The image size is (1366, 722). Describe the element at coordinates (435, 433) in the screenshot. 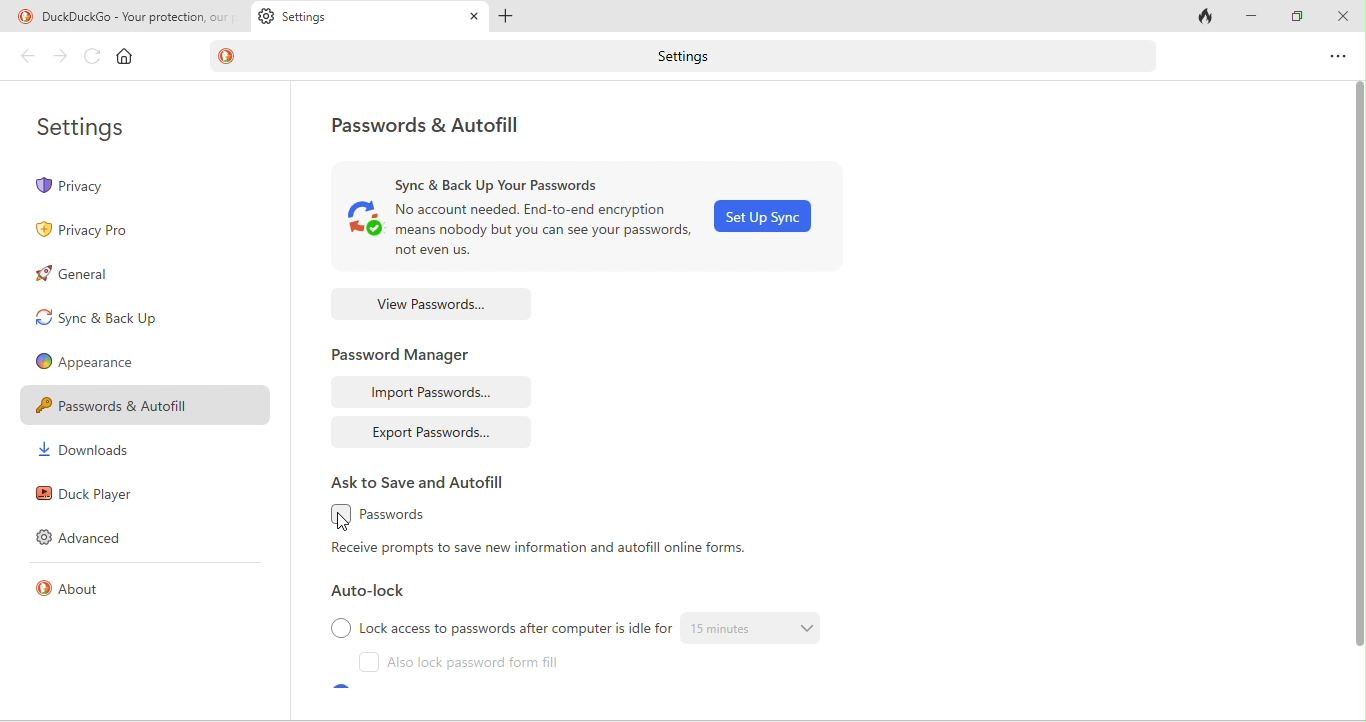

I see `export passwords` at that location.